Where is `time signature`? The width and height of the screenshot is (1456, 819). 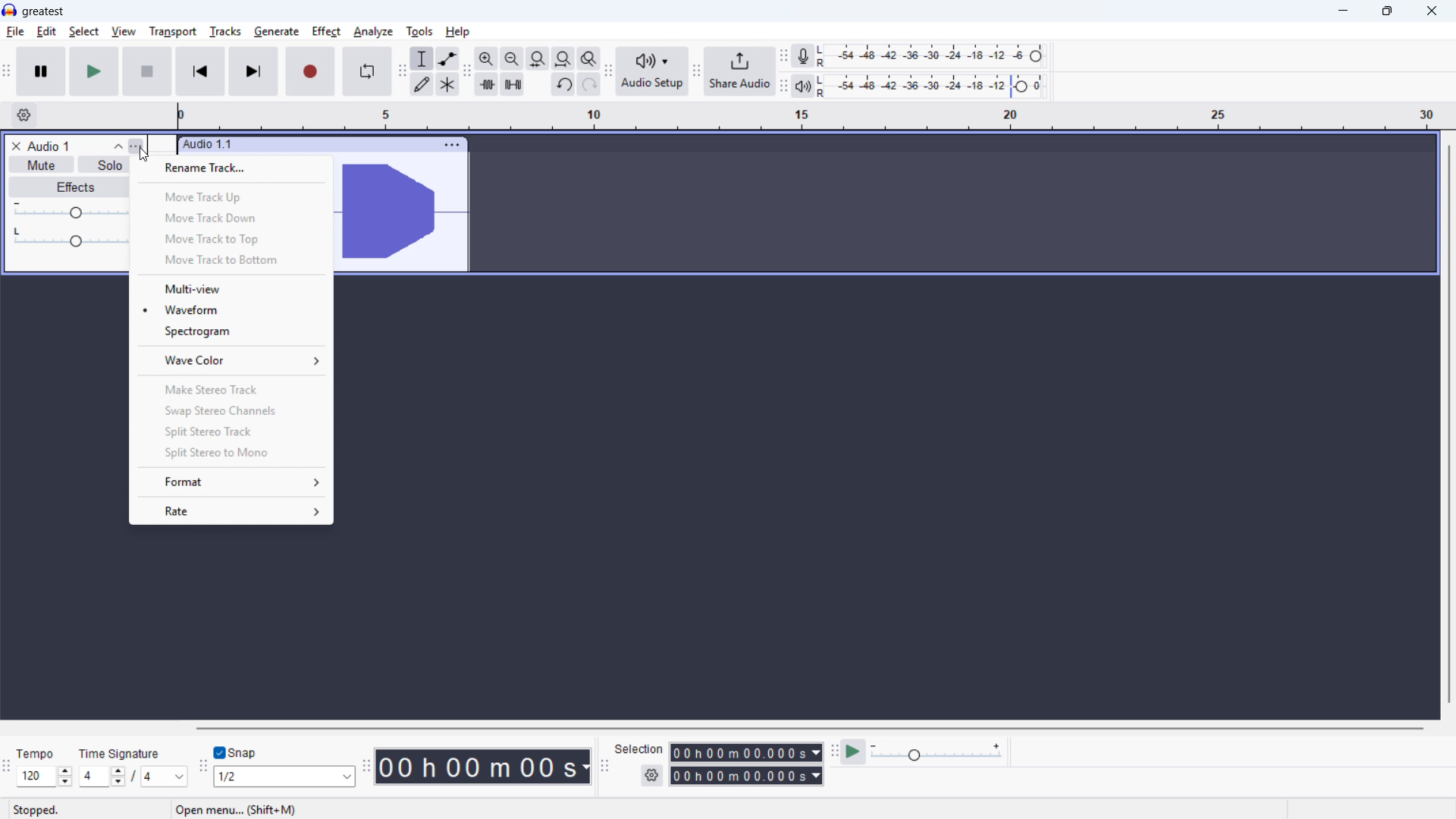 time signature is located at coordinates (121, 754).